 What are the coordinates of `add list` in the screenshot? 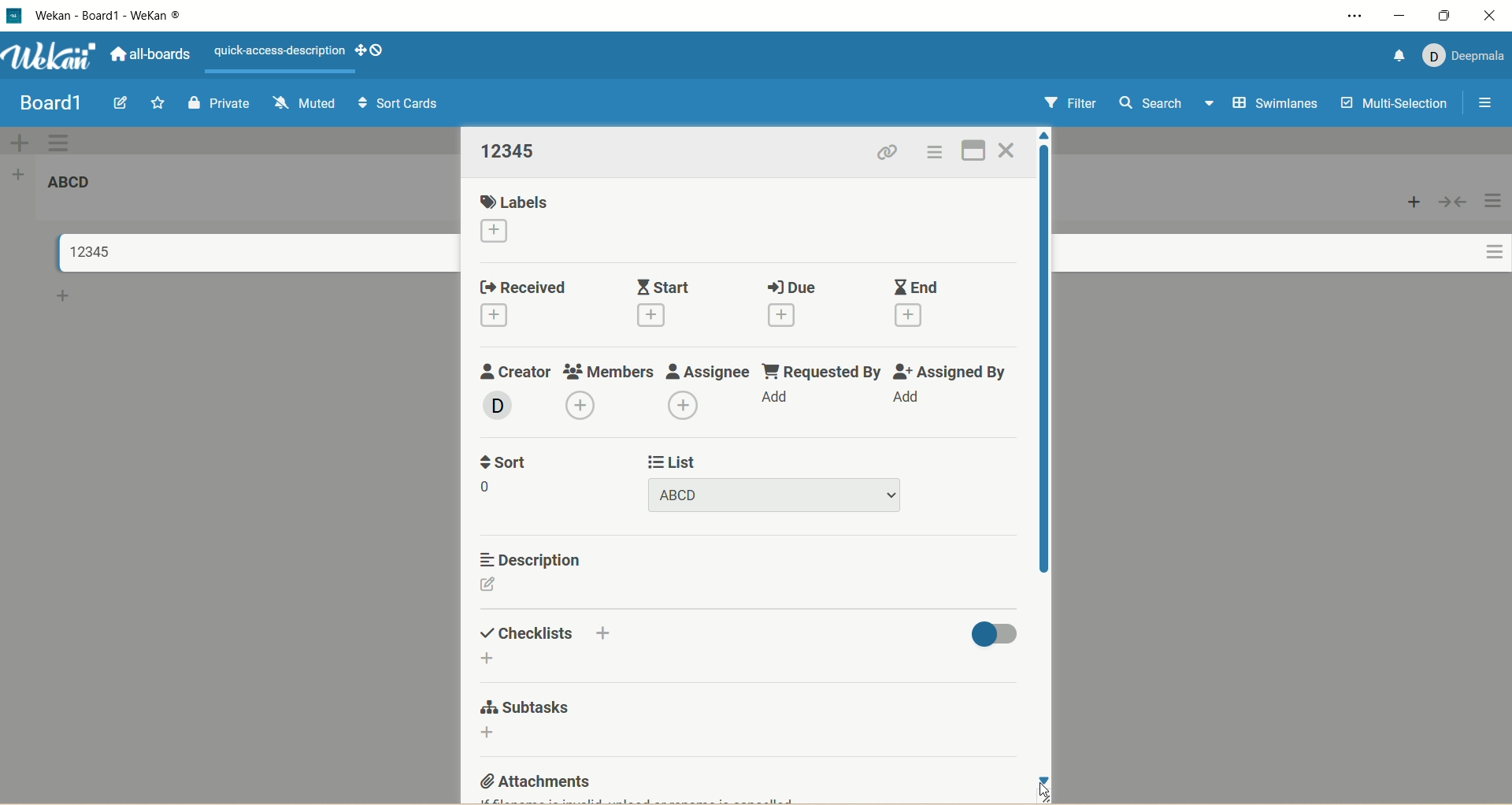 It's located at (23, 173).